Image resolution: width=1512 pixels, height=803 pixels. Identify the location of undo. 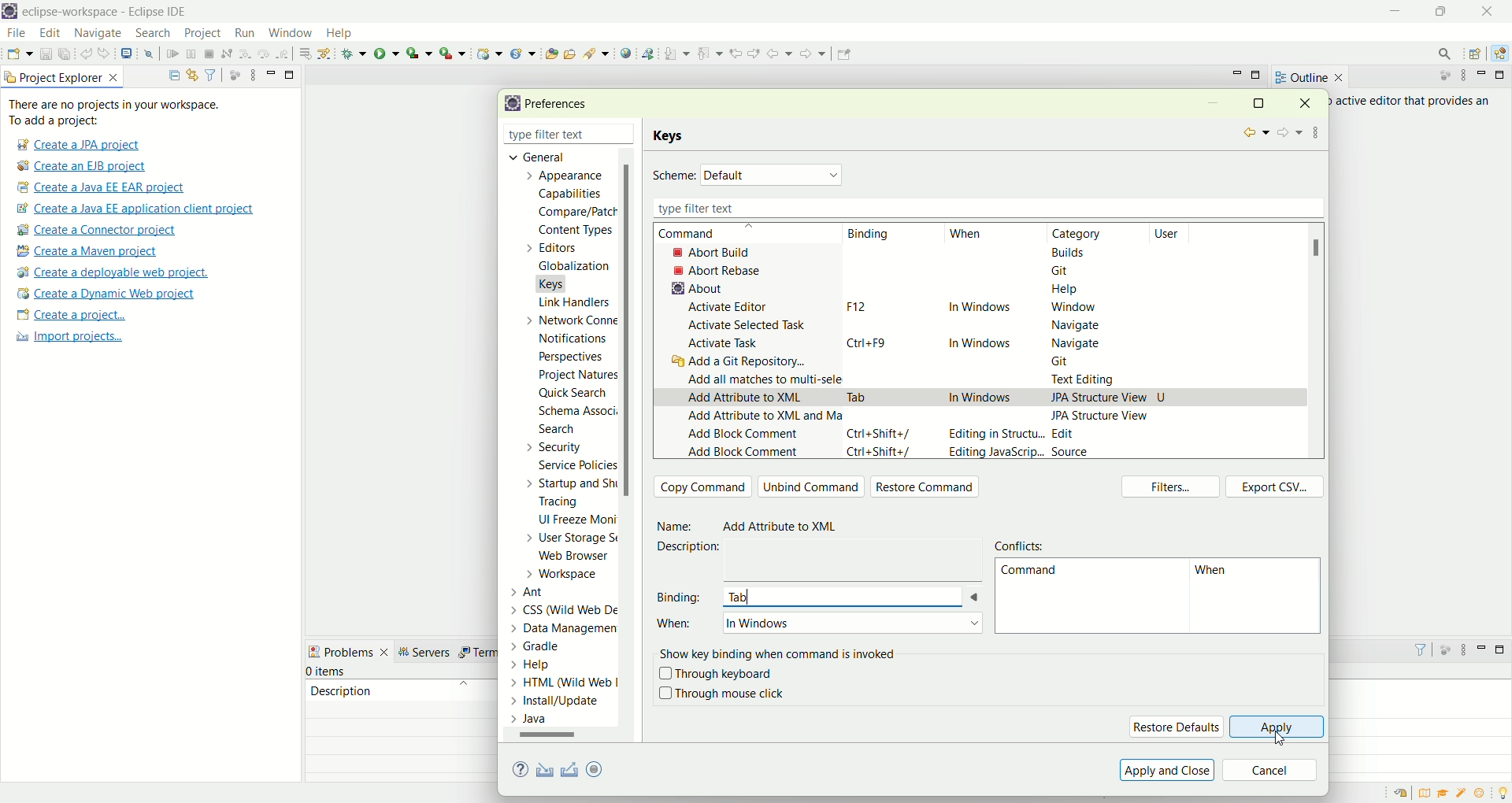
(87, 54).